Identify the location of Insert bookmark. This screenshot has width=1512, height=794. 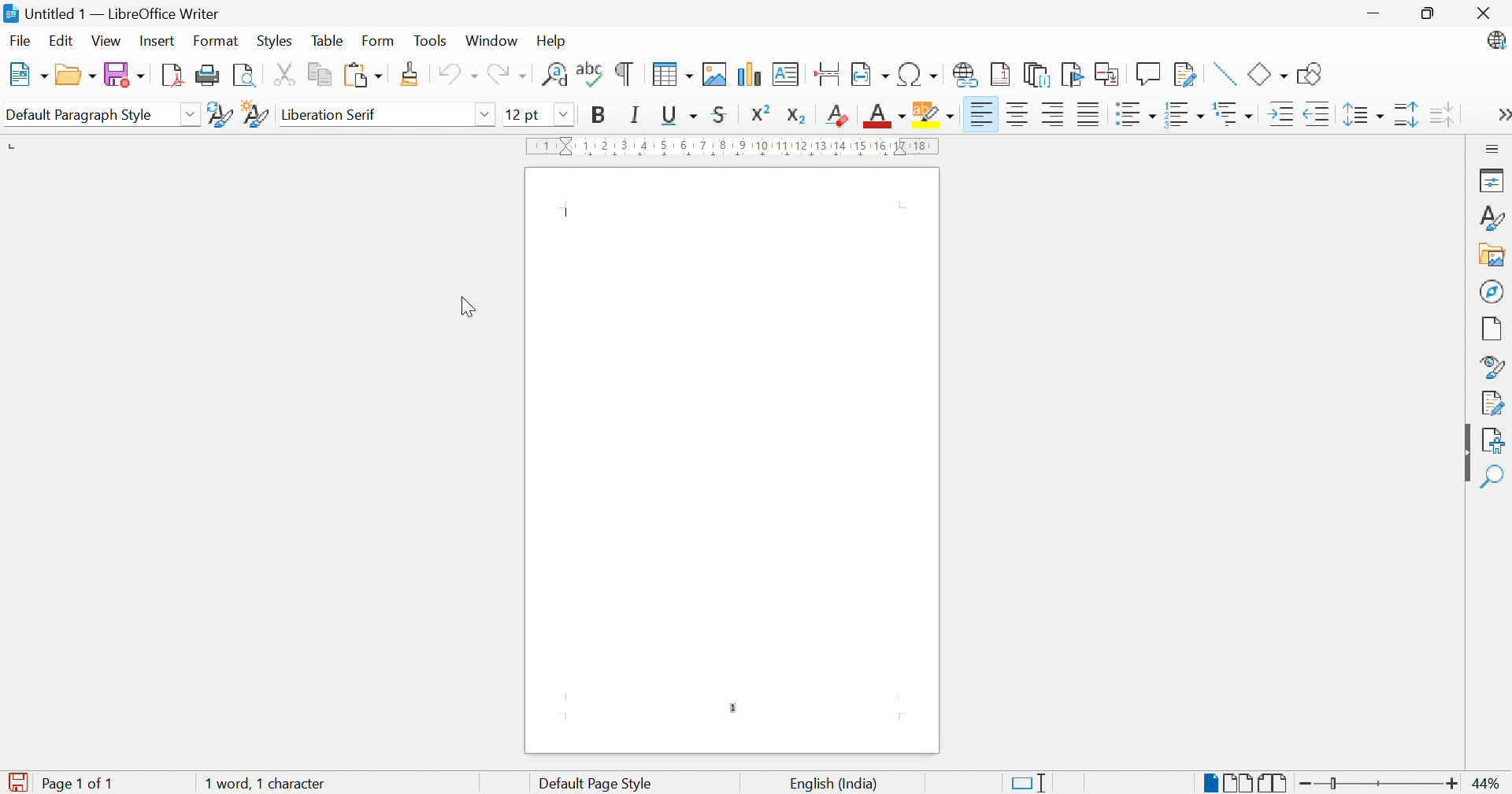
(1072, 75).